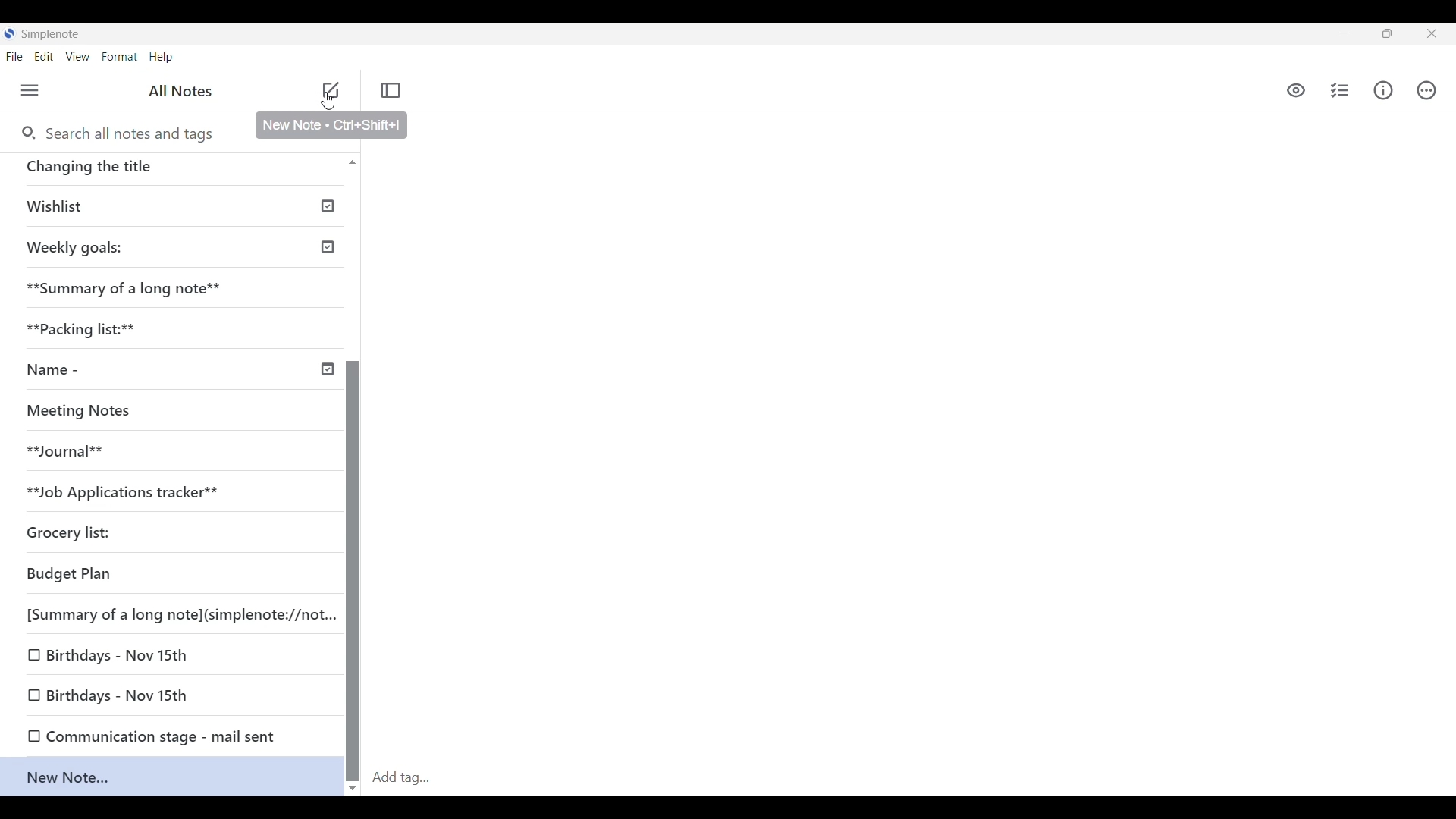 This screenshot has width=1456, height=819. Describe the element at coordinates (136, 134) in the screenshot. I see `Search notes and tags` at that location.